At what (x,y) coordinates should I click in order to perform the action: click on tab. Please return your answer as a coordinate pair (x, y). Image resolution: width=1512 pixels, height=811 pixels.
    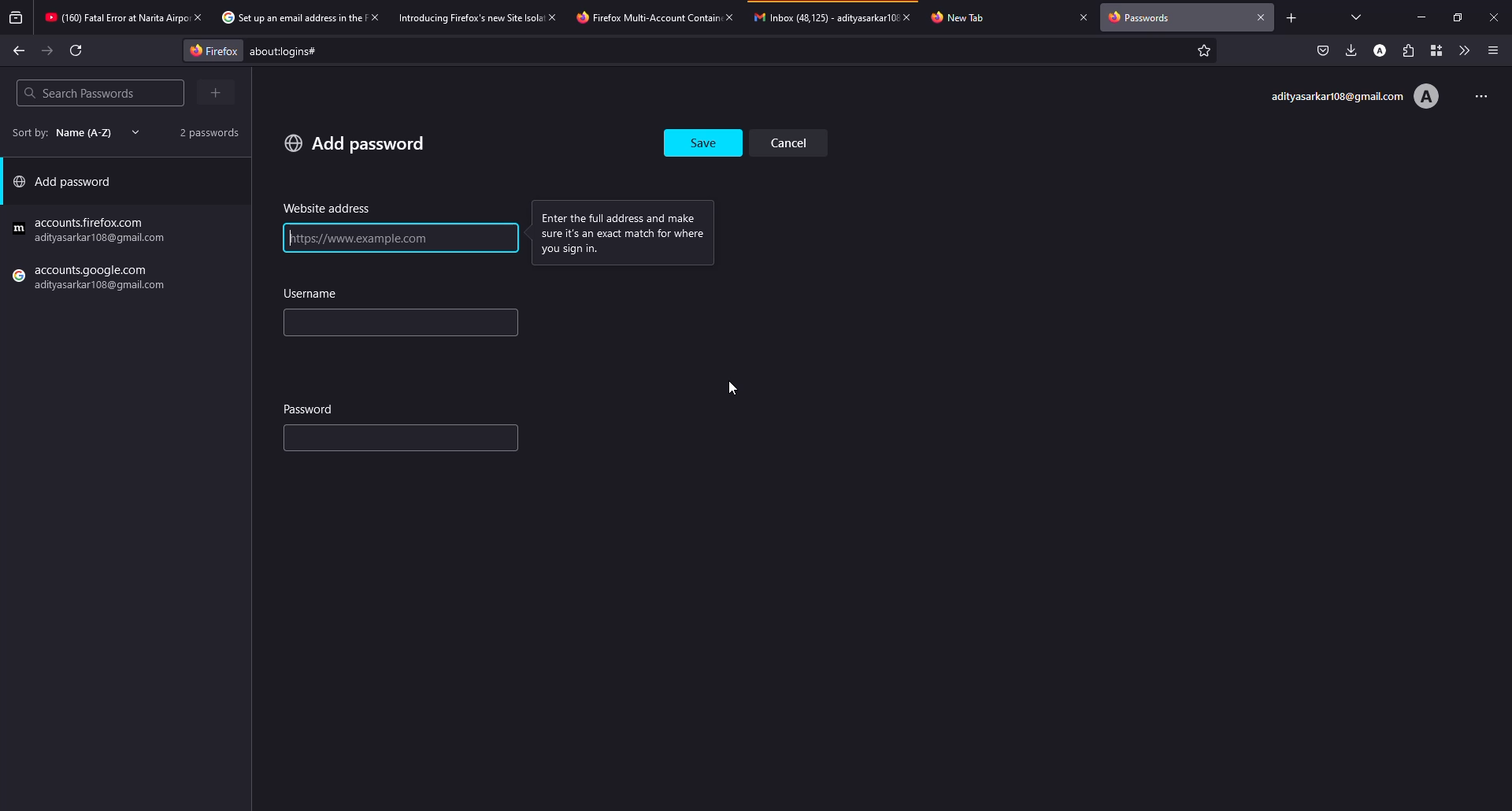
    Looking at the image, I should click on (824, 17).